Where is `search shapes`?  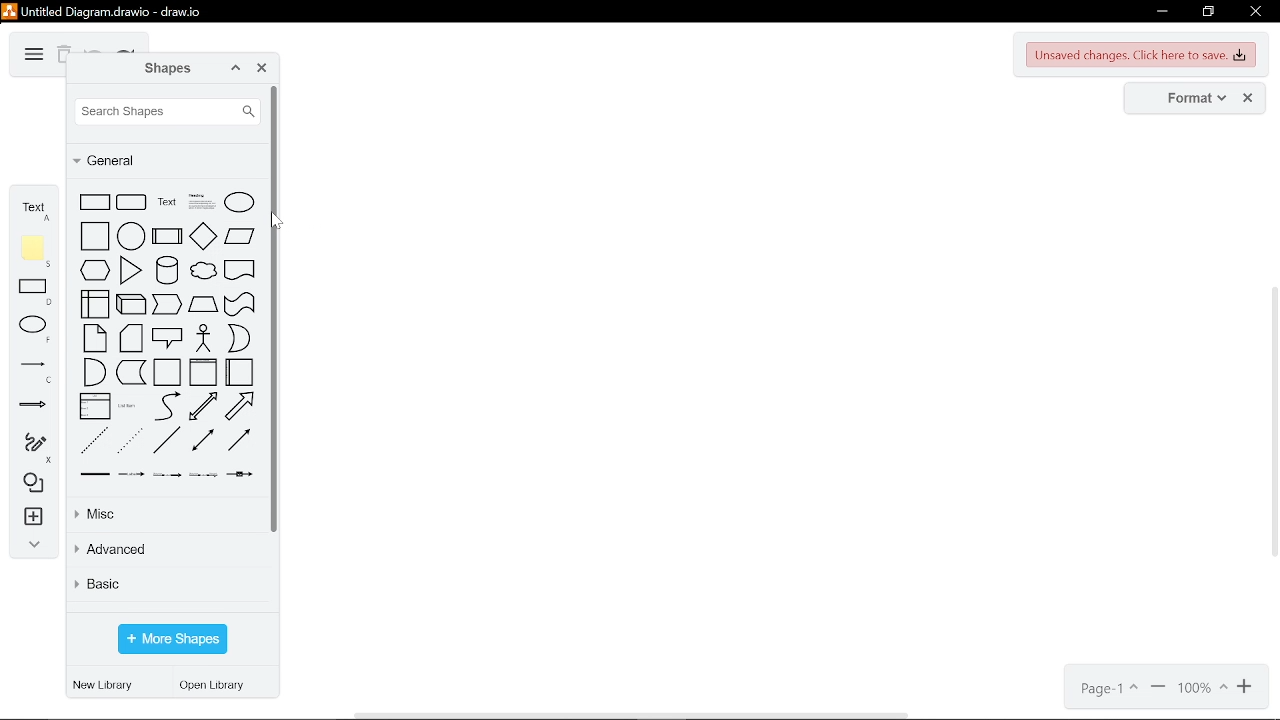
search shapes is located at coordinates (168, 111).